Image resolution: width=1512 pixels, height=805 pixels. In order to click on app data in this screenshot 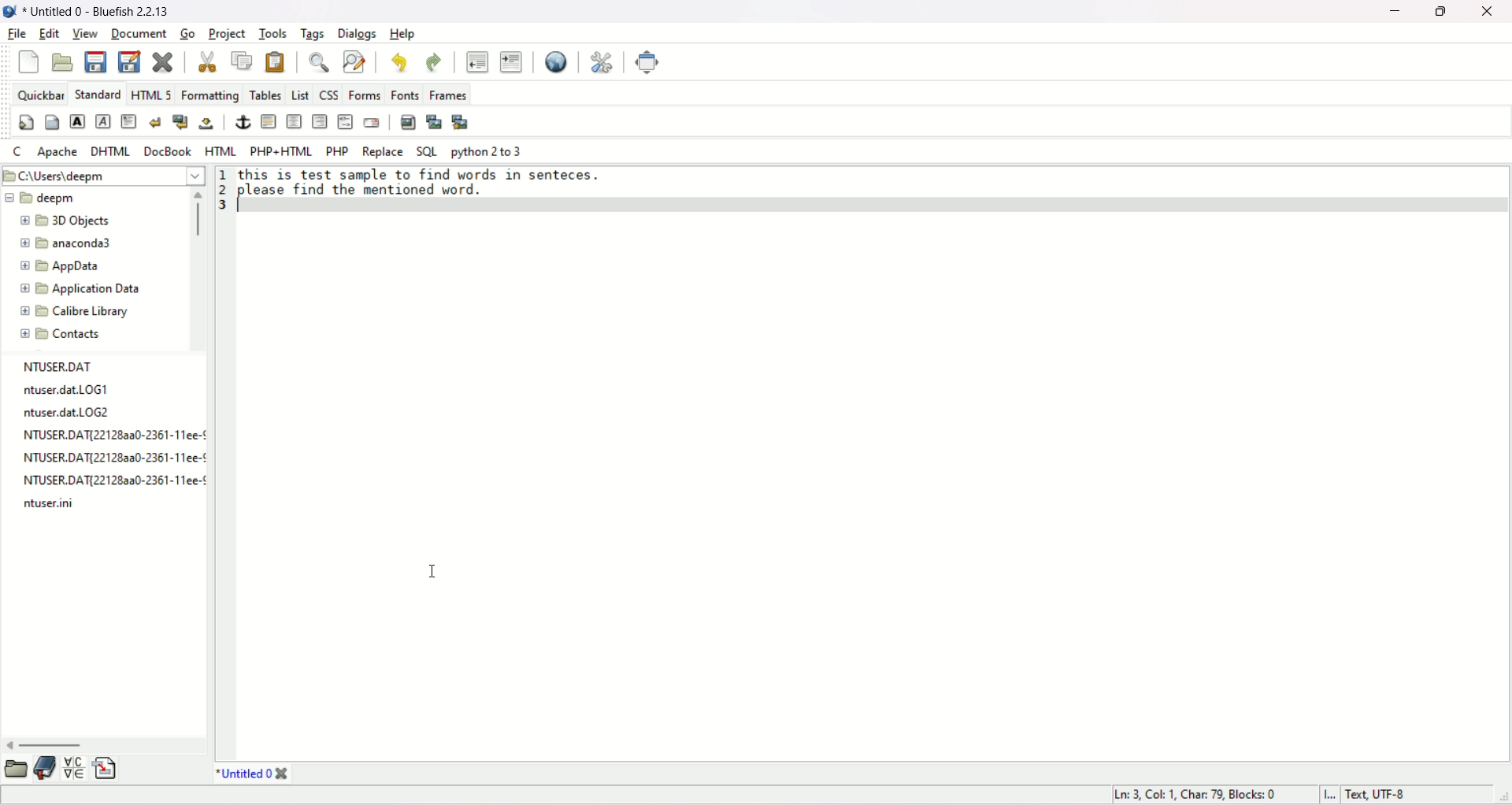, I will do `click(60, 266)`.